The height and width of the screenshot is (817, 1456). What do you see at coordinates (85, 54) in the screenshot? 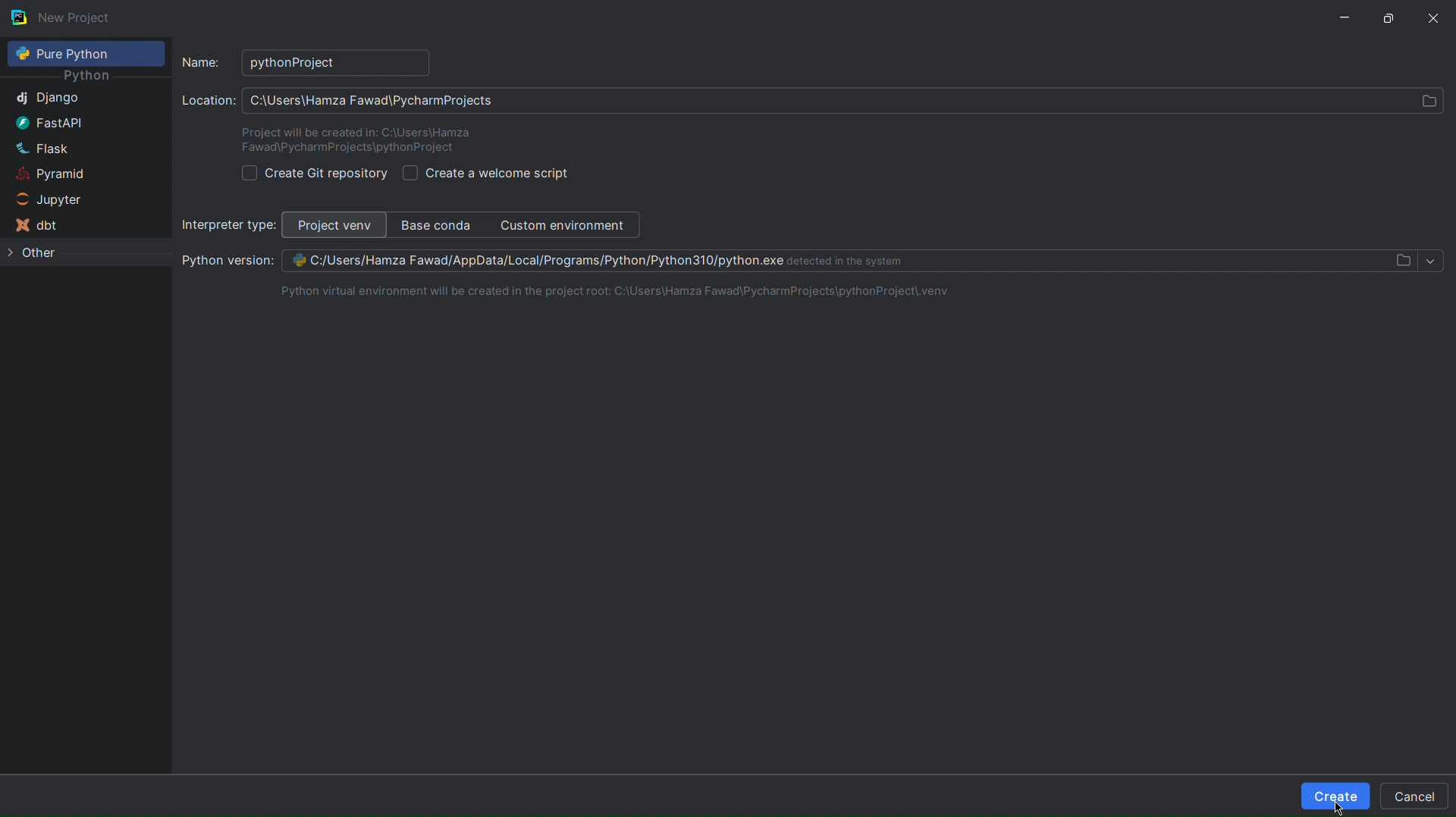
I see `Pure Python` at bounding box center [85, 54].